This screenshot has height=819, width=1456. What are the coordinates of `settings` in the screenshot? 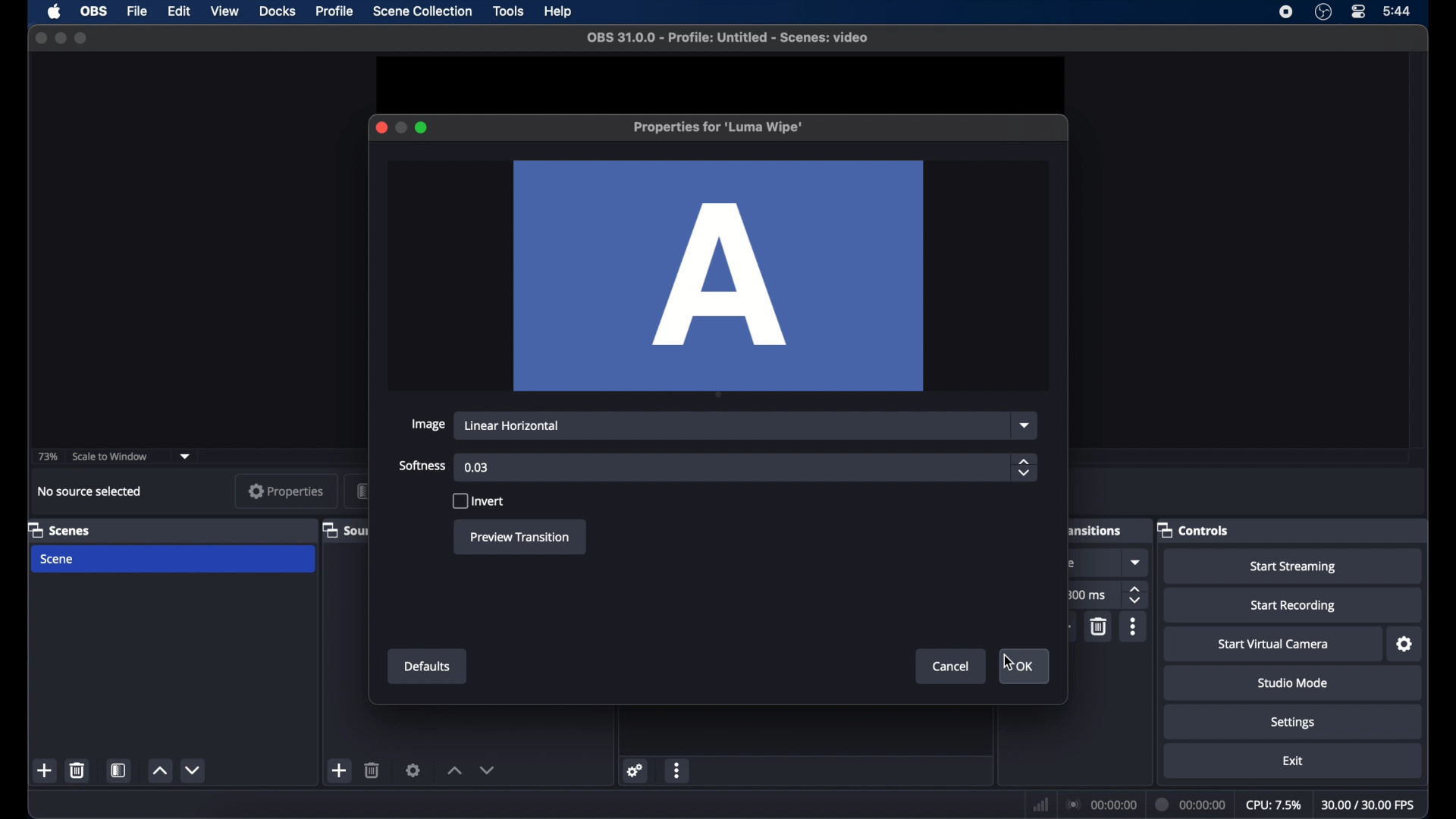 It's located at (413, 770).